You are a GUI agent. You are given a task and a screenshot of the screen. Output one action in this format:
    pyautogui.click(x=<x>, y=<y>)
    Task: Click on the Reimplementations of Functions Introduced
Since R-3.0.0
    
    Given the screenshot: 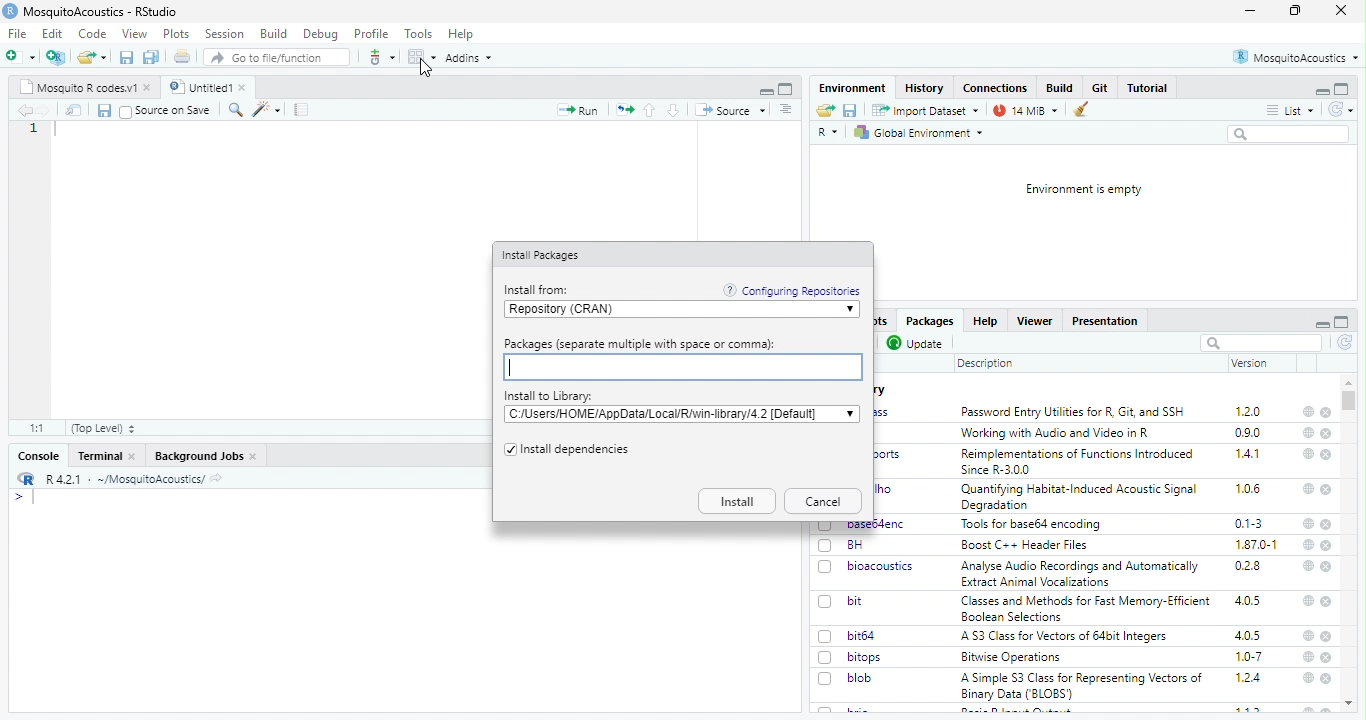 What is the action you would take?
    pyautogui.click(x=1081, y=462)
    